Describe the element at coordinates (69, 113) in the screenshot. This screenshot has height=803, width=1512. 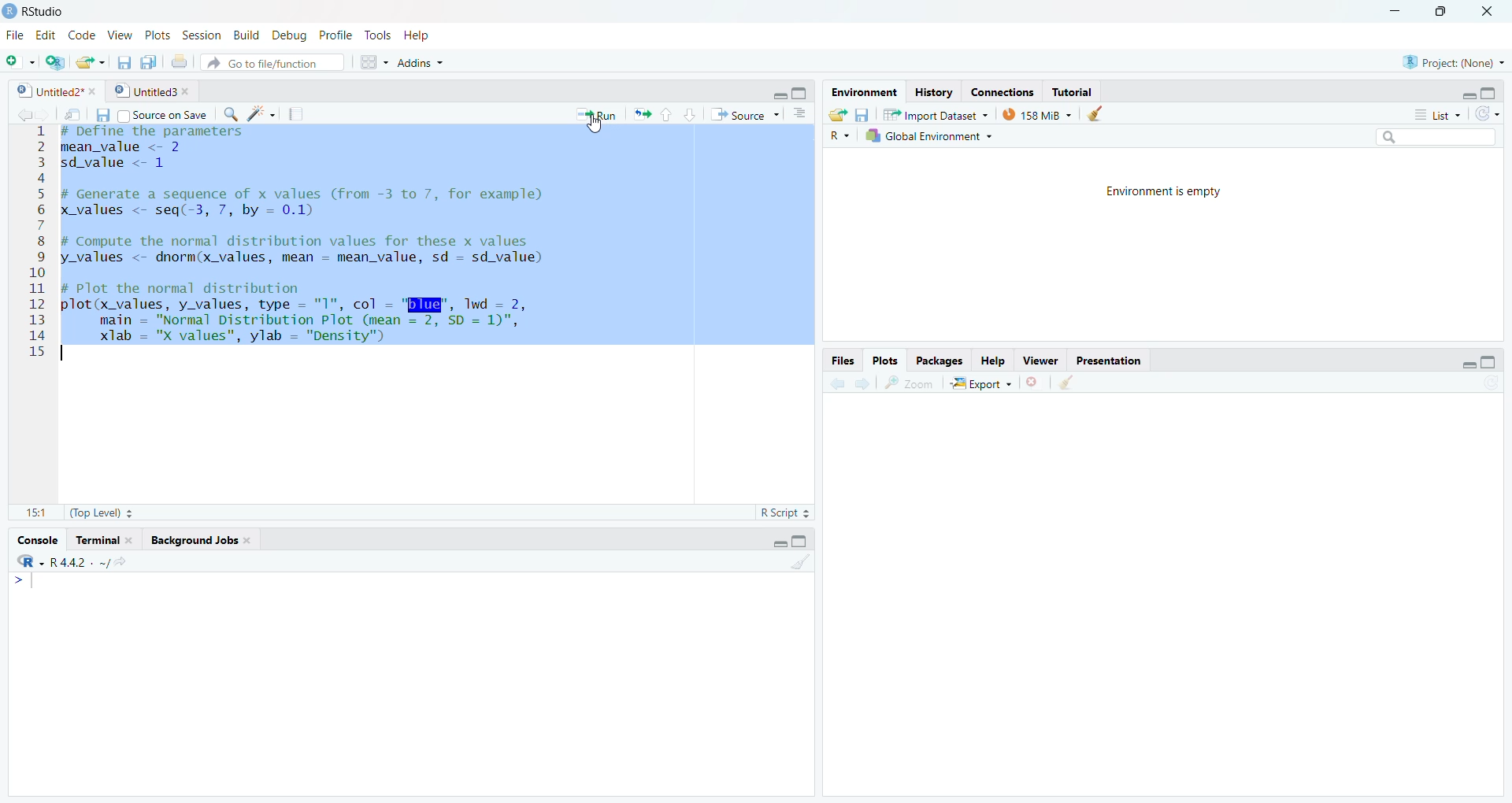
I see `Show in new window` at that location.